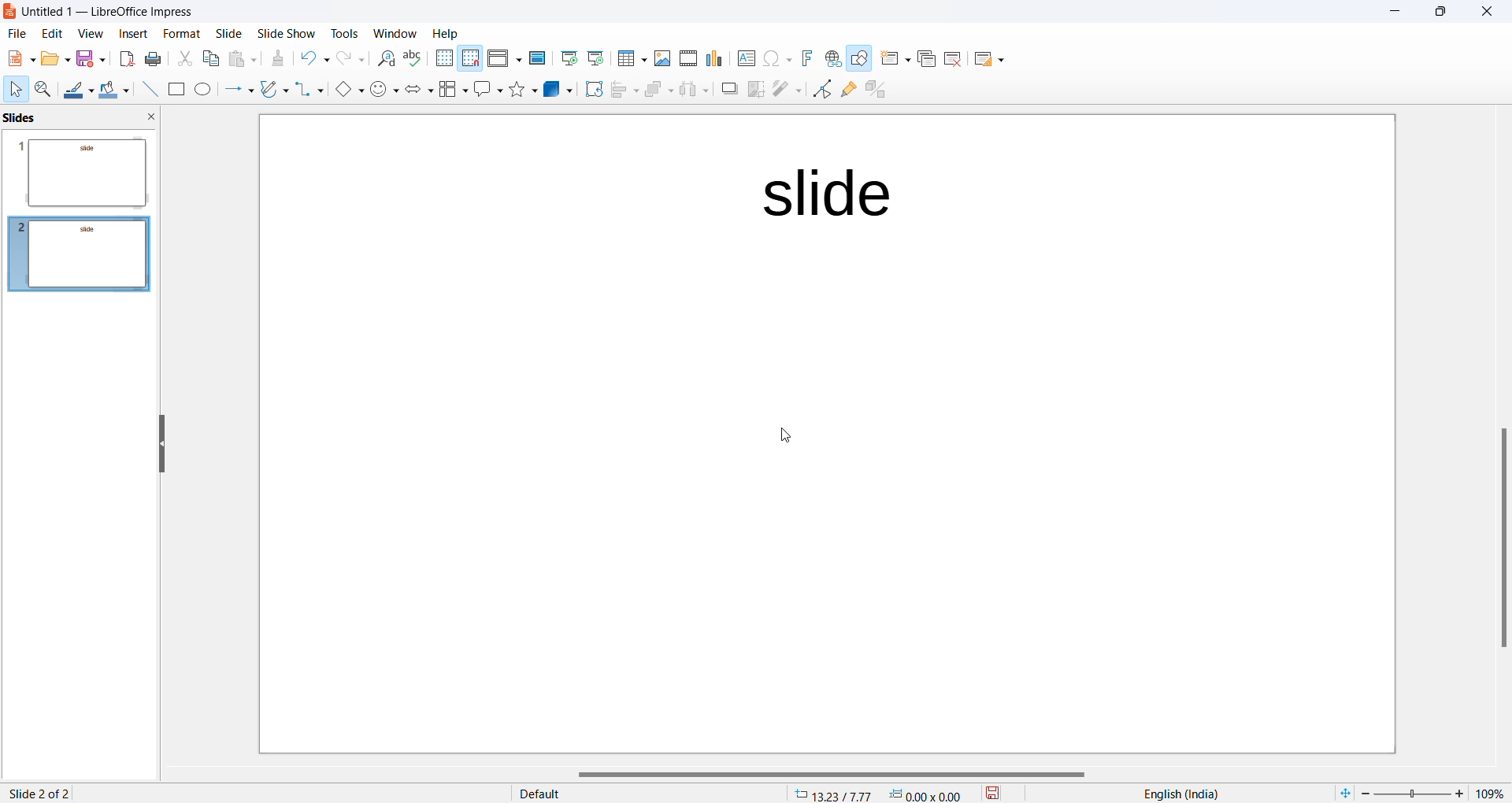 The width and height of the screenshot is (1512, 803). Describe the element at coordinates (521, 90) in the screenshot. I see `Shapes` at that location.